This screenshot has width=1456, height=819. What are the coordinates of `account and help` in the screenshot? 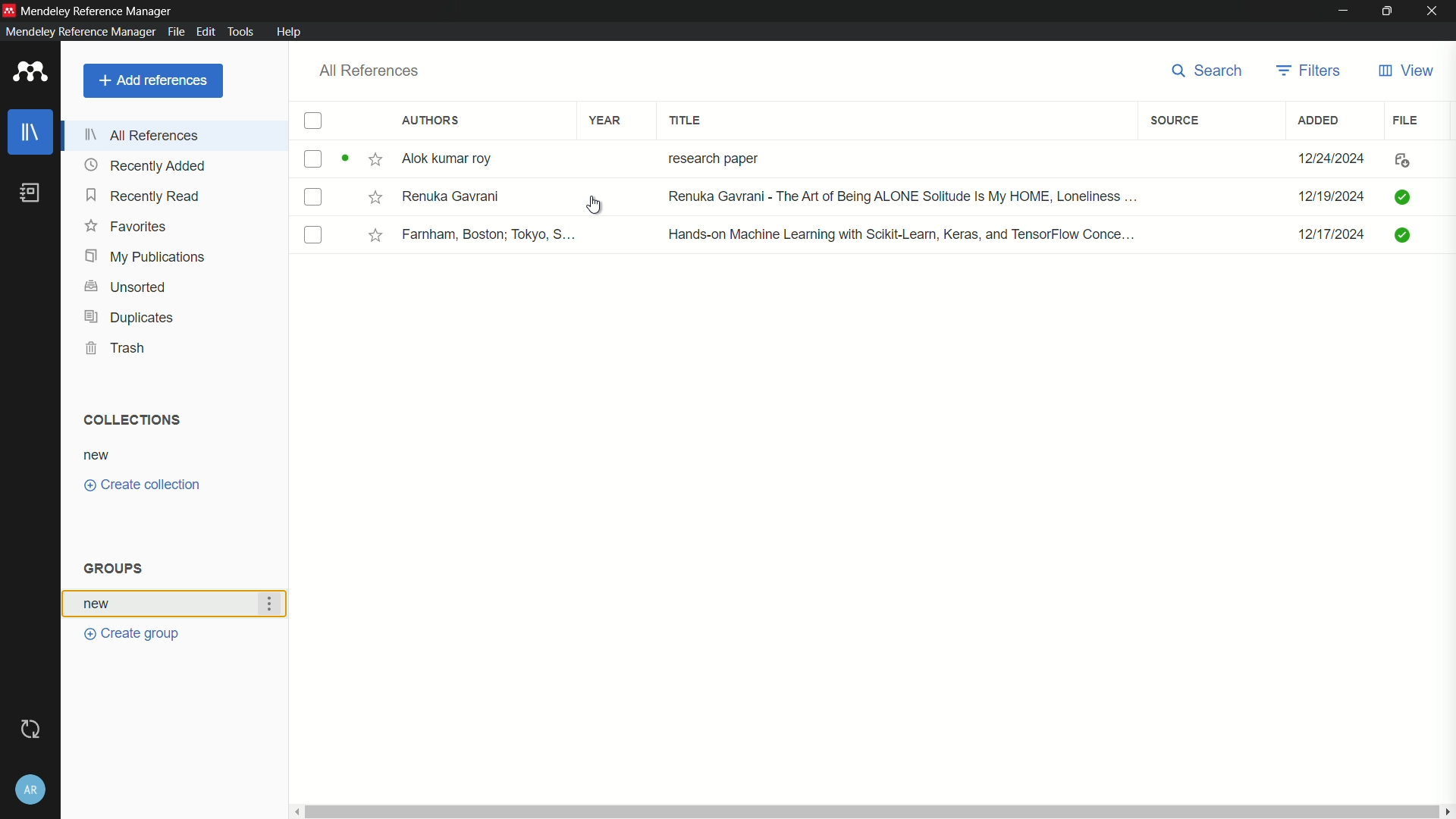 It's located at (30, 790).